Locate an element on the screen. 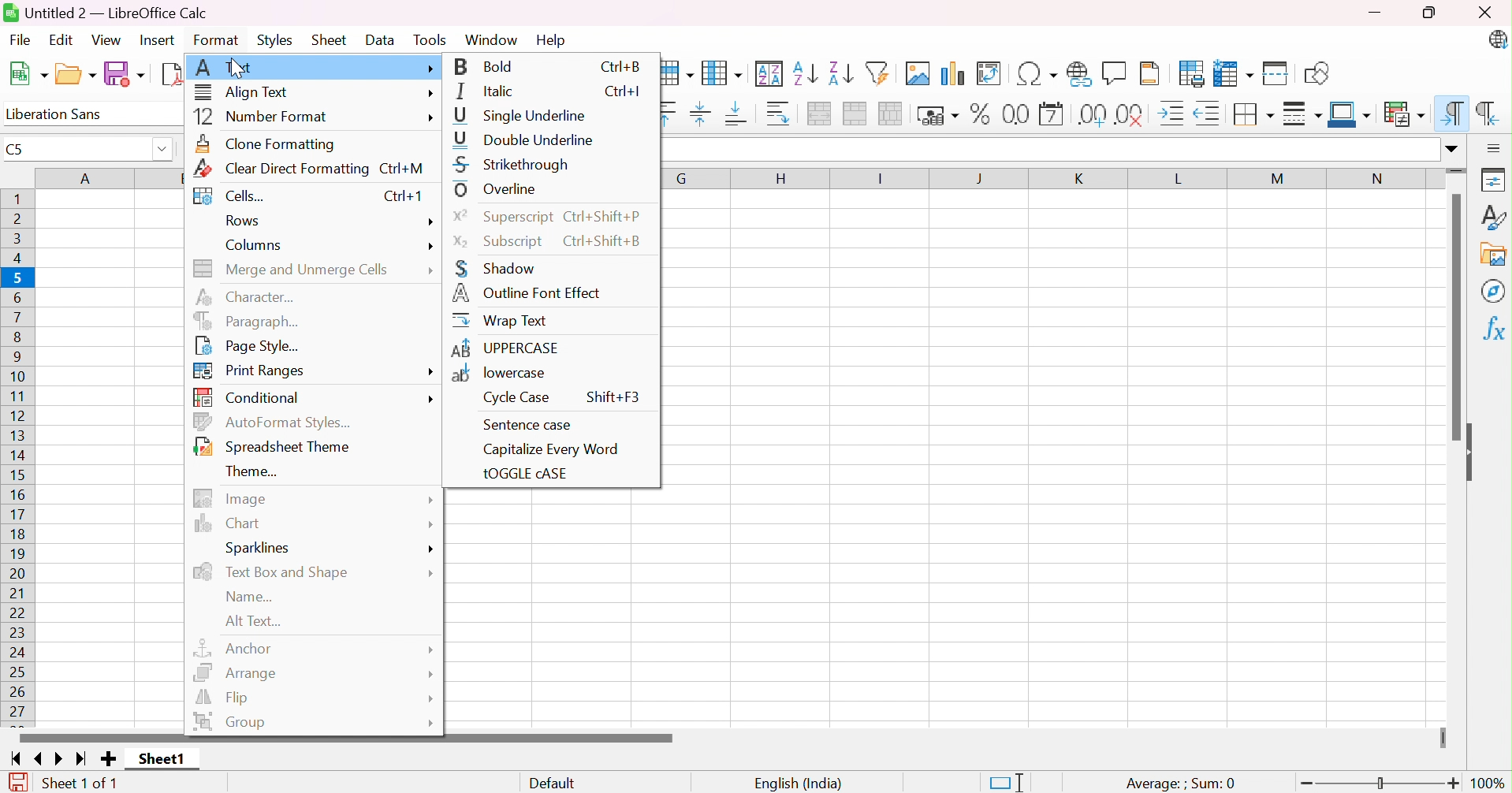  Shadow is located at coordinates (493, 268).